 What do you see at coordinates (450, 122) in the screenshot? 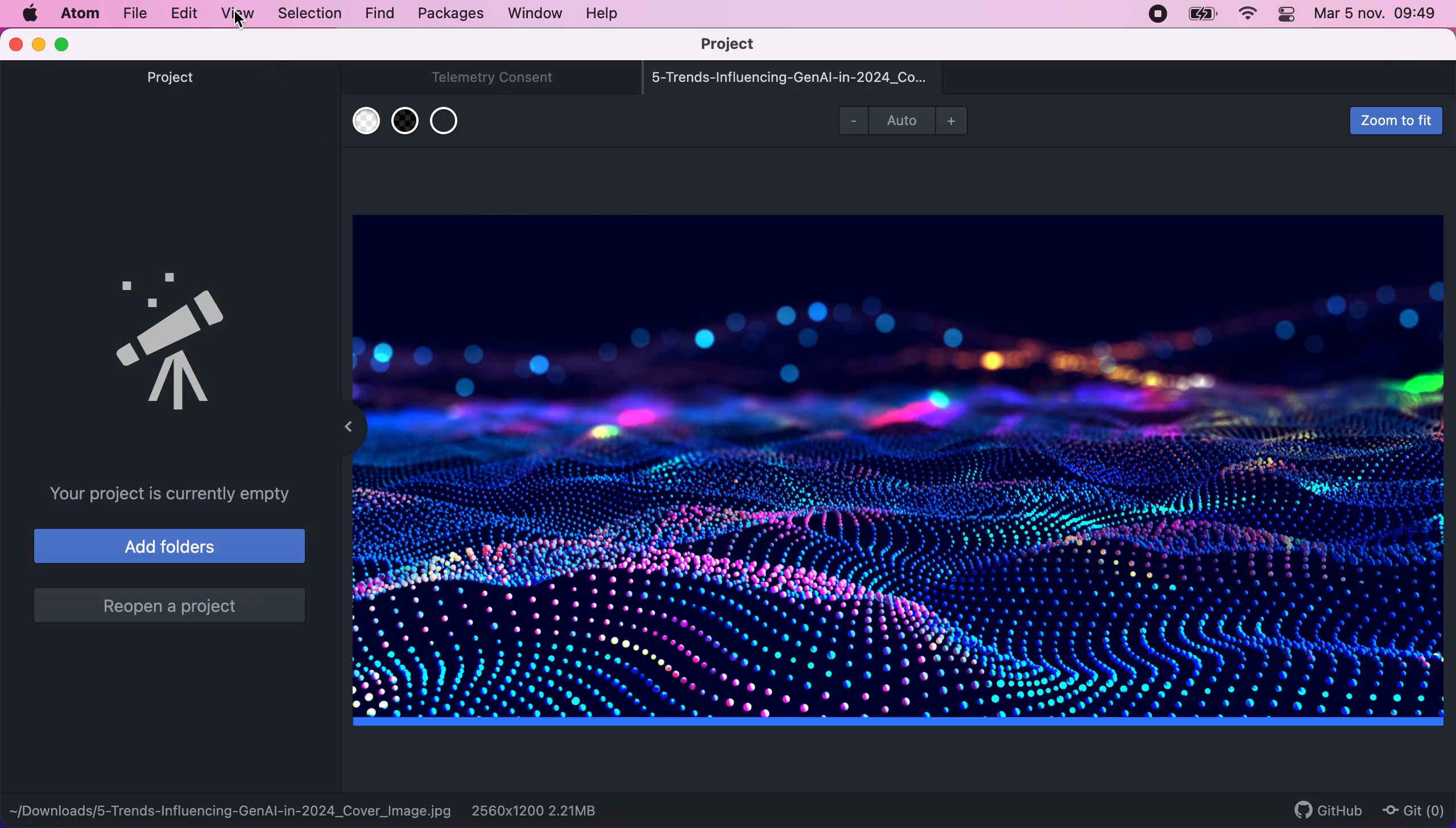
I see `use transparent background` at bounding box center [450, 122].